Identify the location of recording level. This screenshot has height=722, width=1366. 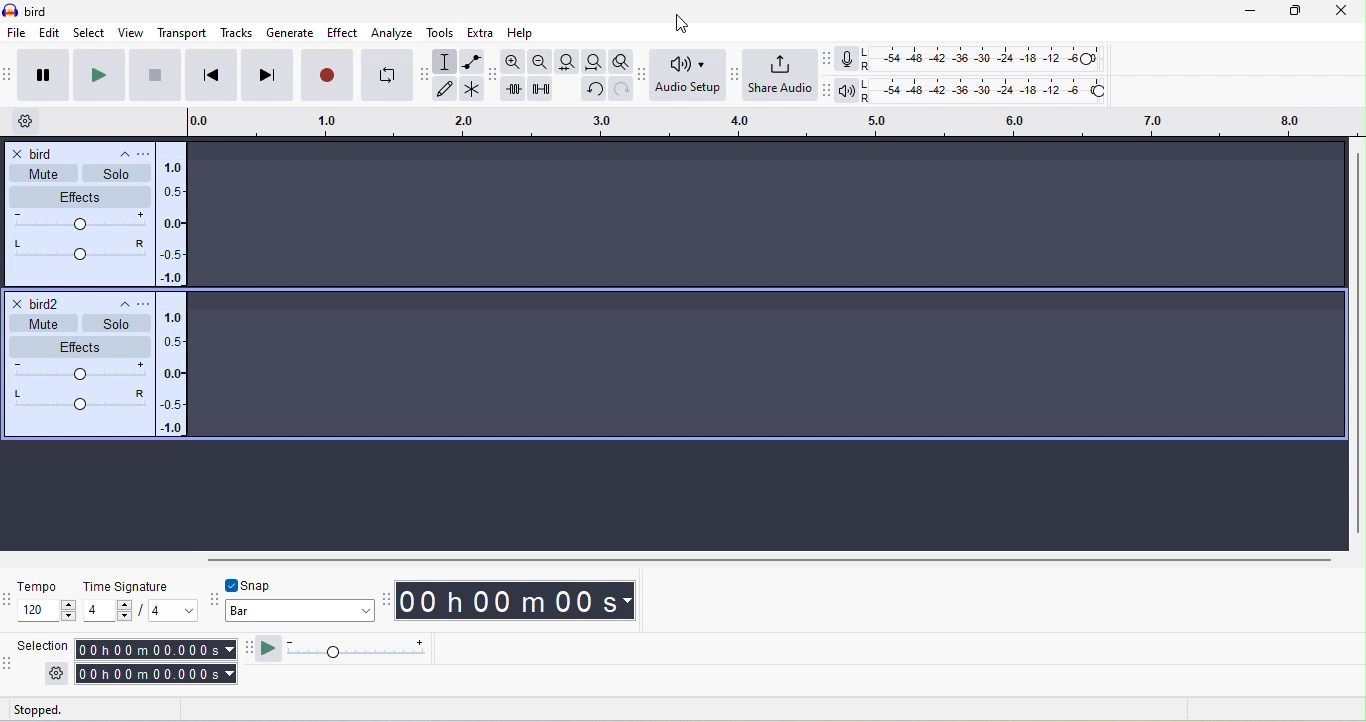
(985, 58).